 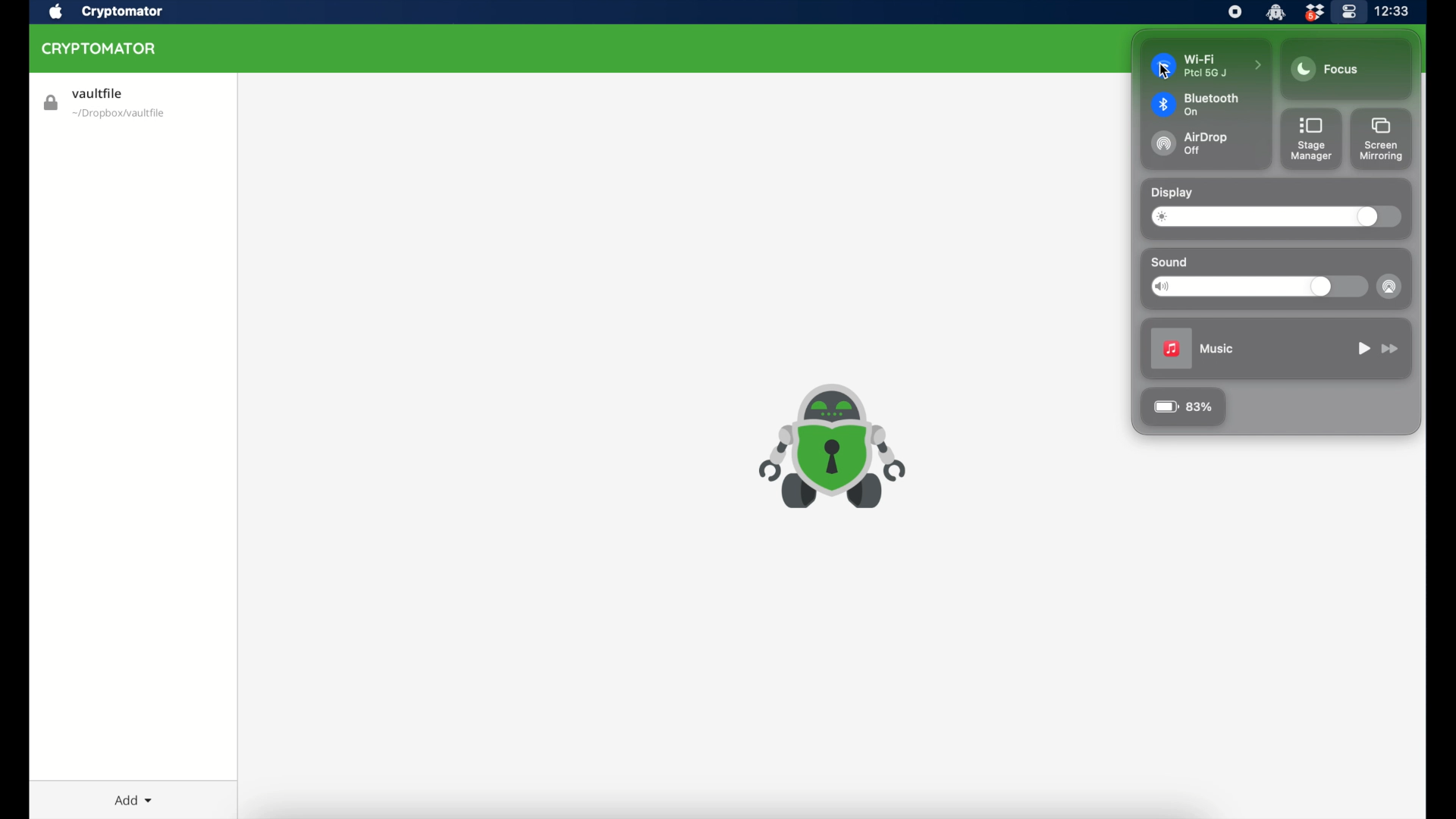 I want to click on vaultlife, so click(x=105, y=105).